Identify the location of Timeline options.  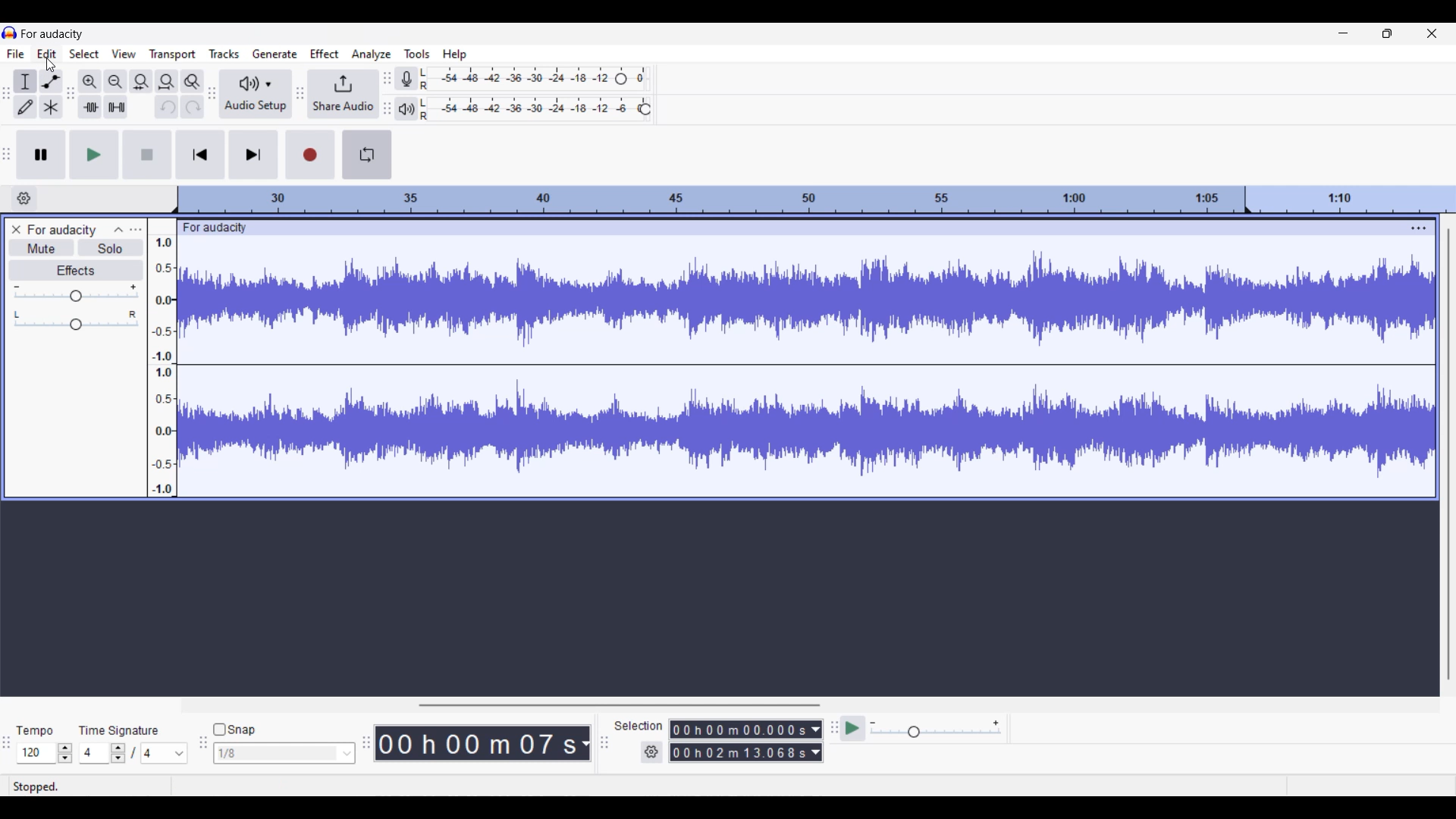
(24, 199).